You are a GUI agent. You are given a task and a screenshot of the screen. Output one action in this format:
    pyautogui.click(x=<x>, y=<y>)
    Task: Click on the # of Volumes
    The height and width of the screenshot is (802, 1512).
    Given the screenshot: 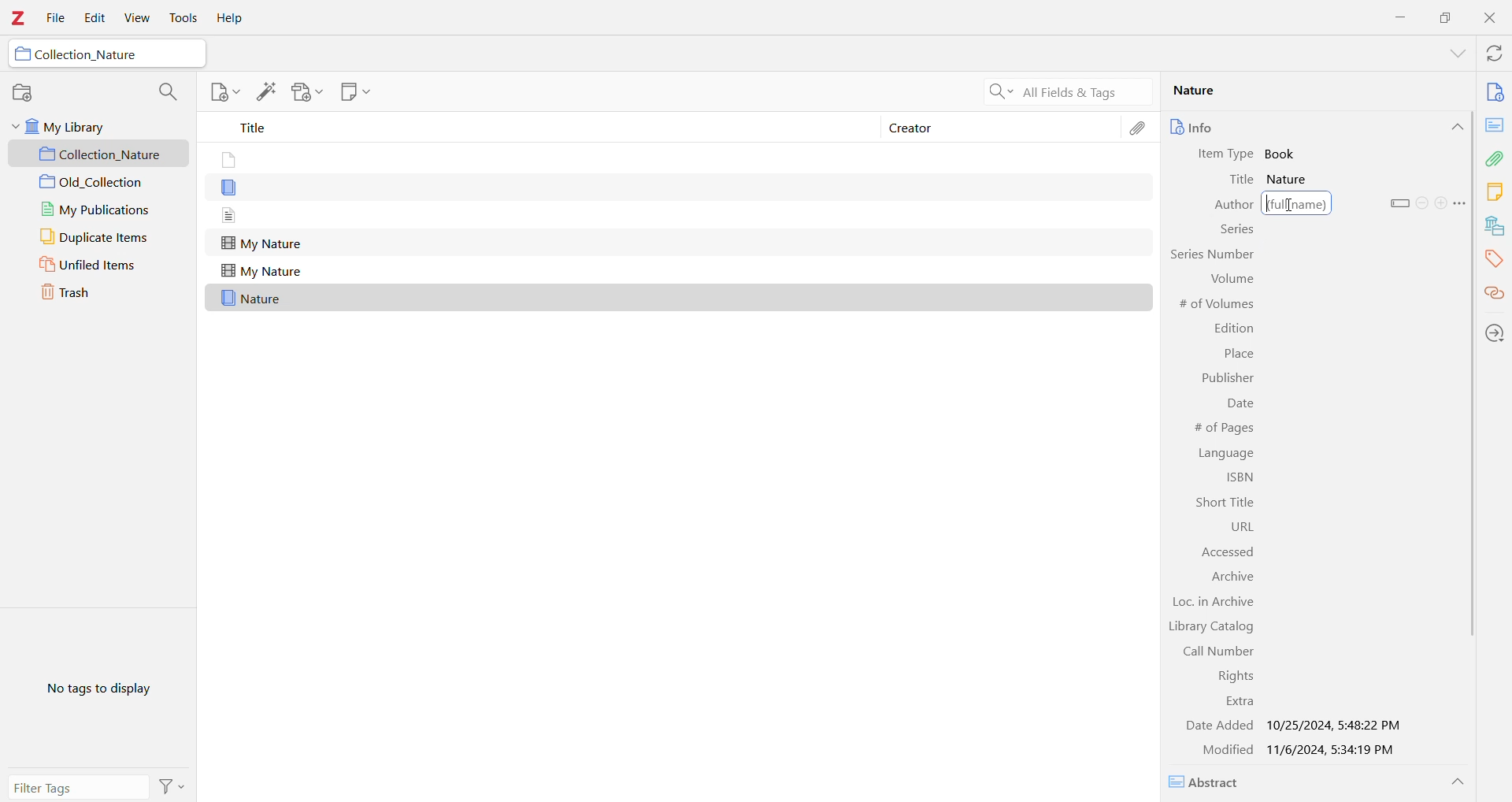 What is the action you would take?
    pyautogui.click(x=1218, y=305)
    